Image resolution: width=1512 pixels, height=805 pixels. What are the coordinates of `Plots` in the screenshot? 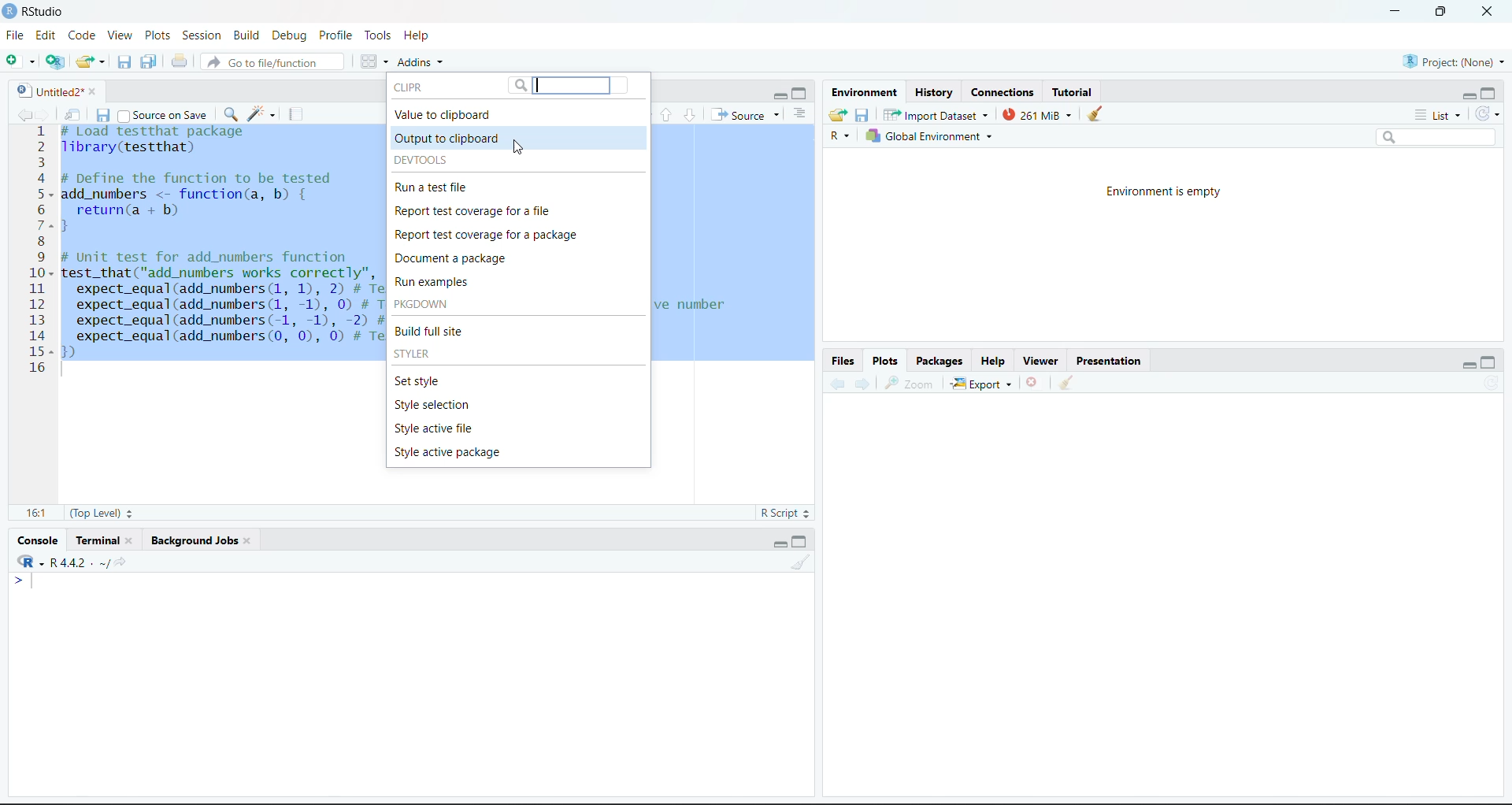 It's located at (884, 361).